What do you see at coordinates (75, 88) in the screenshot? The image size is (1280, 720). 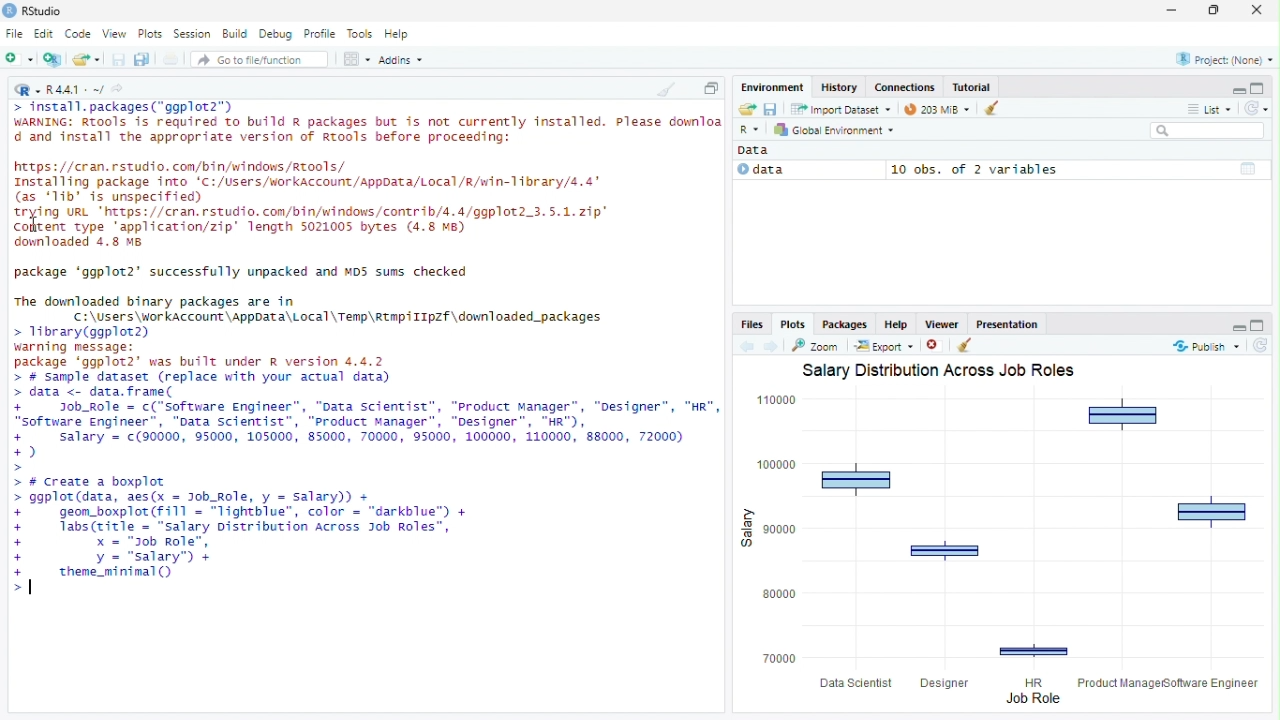 I see `R language version - R 4.4.1` at bounding box center [75, 88].